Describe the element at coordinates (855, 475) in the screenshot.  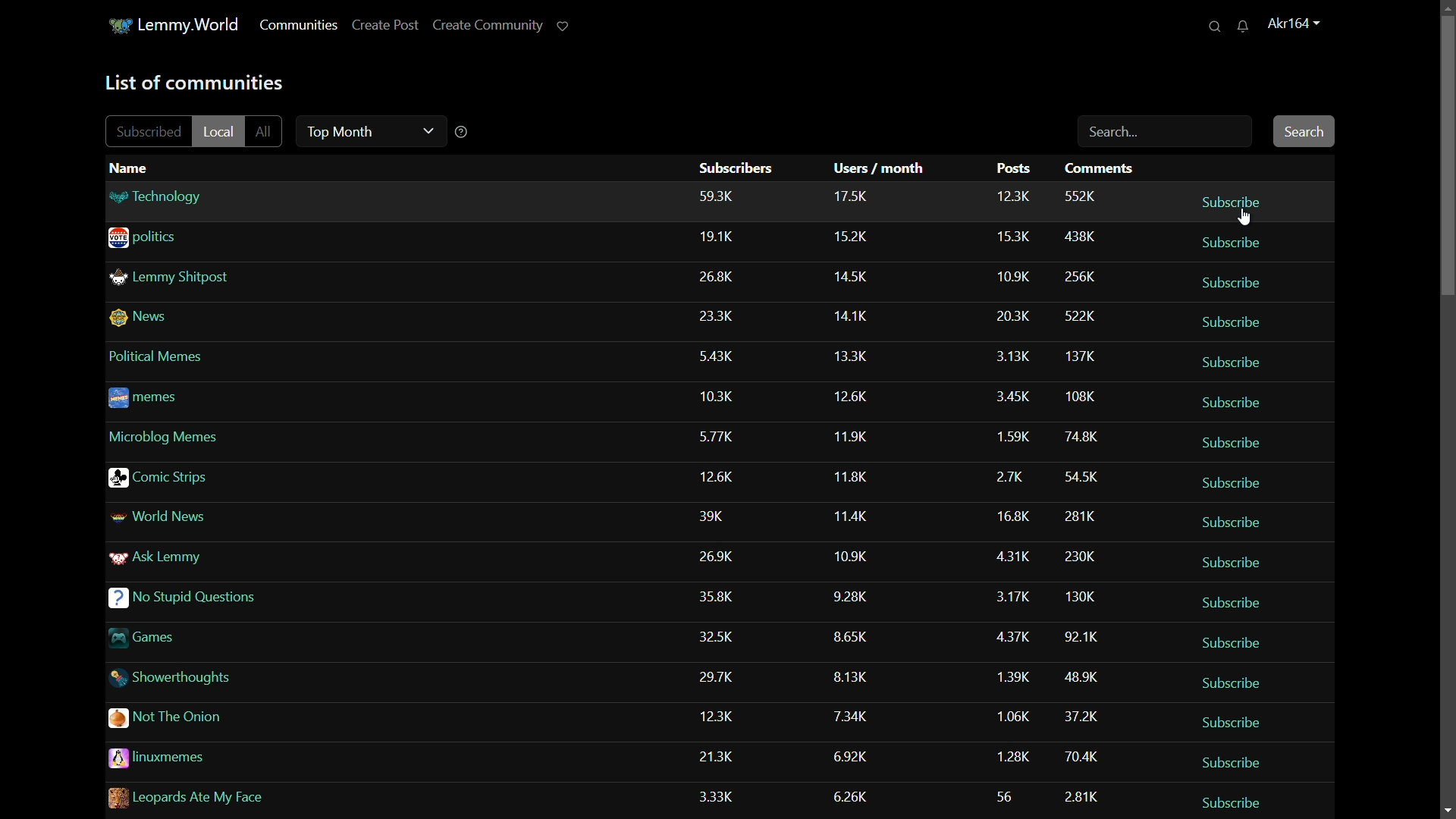
I see `user per month` at that location.